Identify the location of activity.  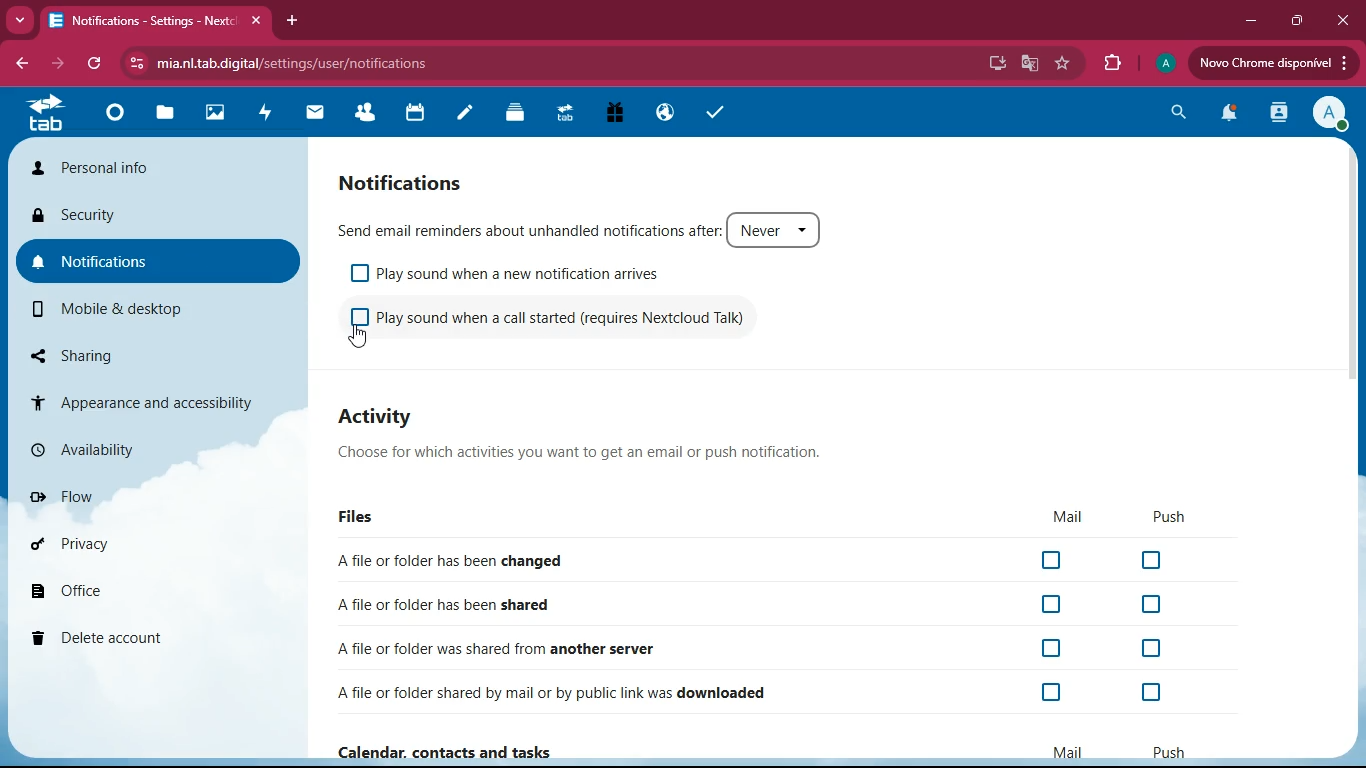
(392, 419).